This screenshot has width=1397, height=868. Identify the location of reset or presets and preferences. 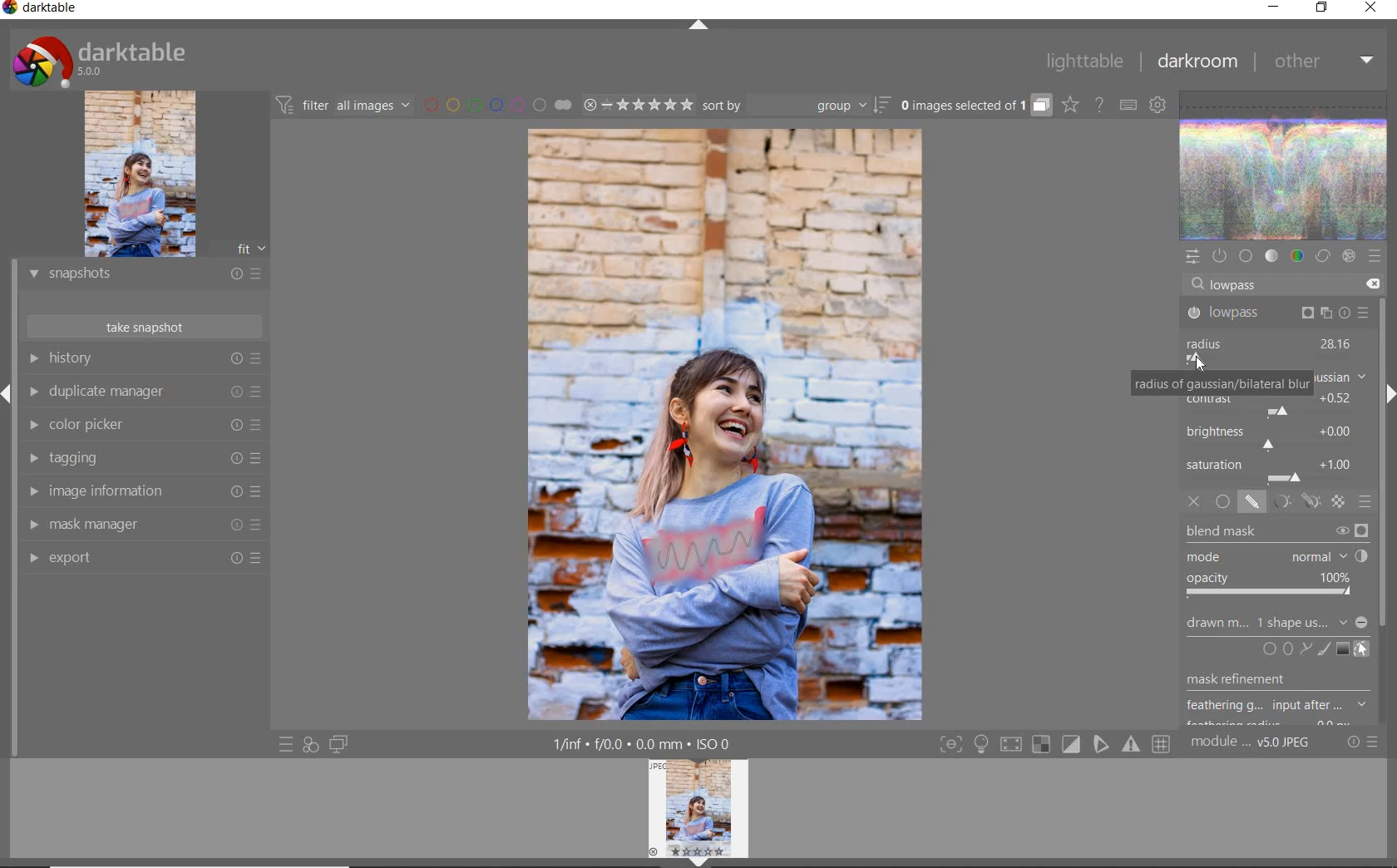
(1364, 742).